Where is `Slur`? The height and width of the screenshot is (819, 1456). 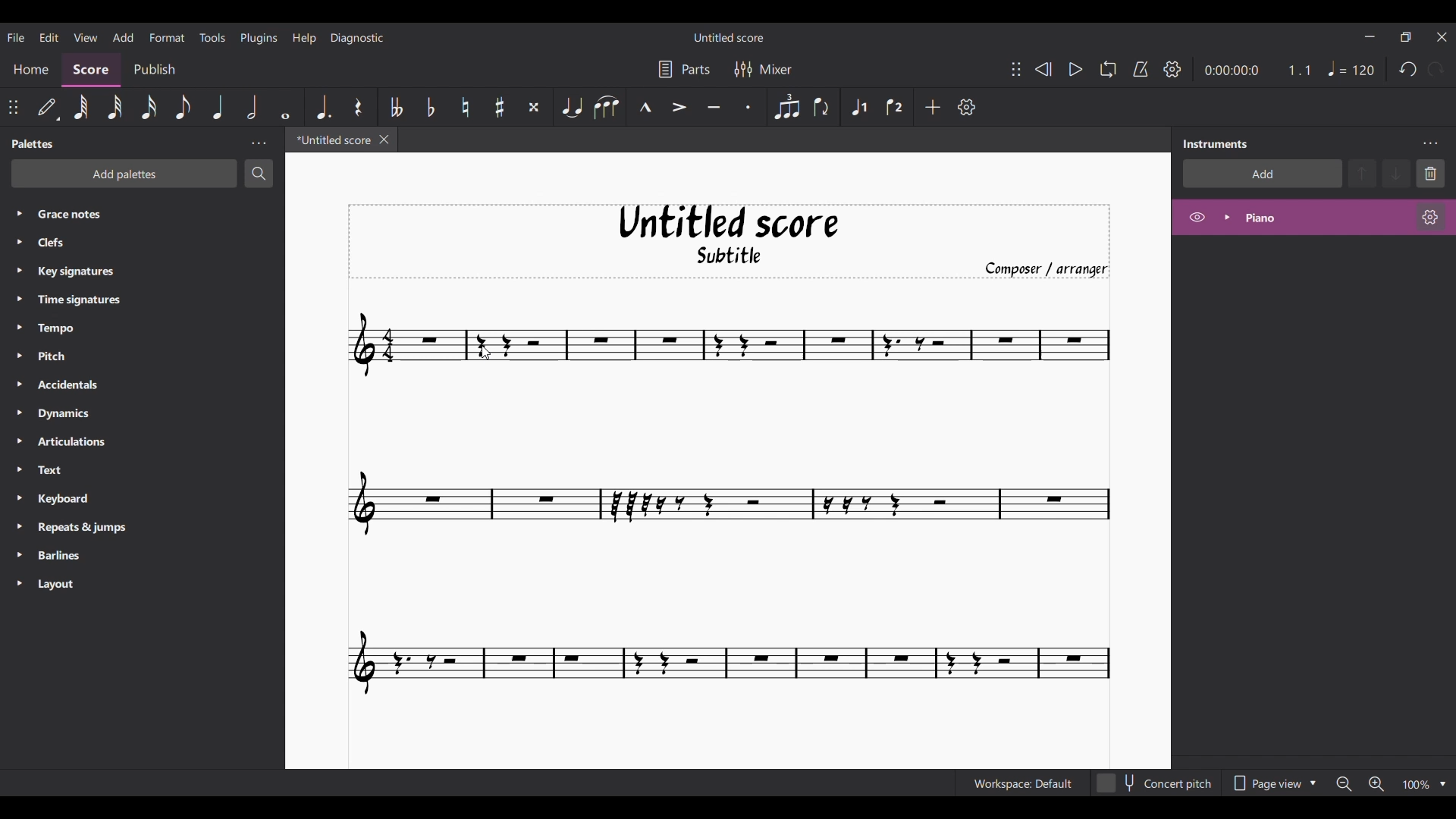 Slur is located at coordinates (607, 107).